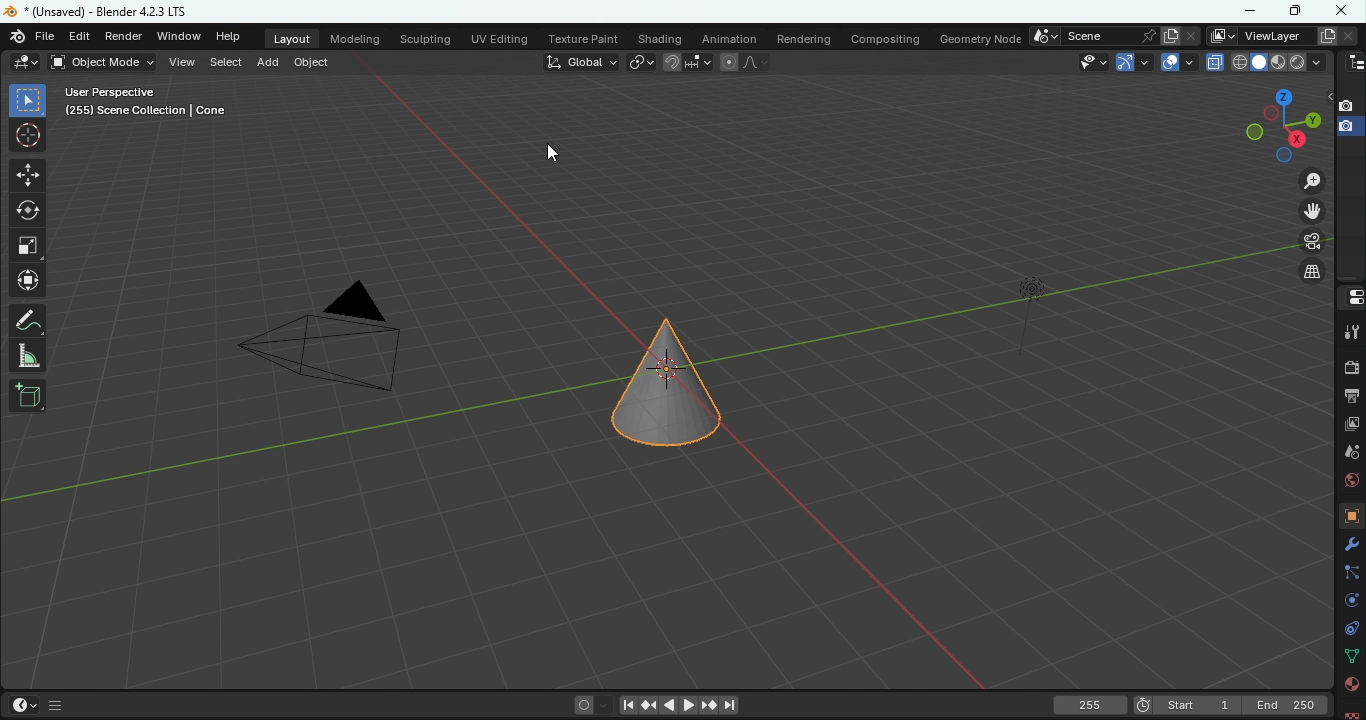 This screenshot has width=1366, height=720. I want to click on Add, so click(266, 60).